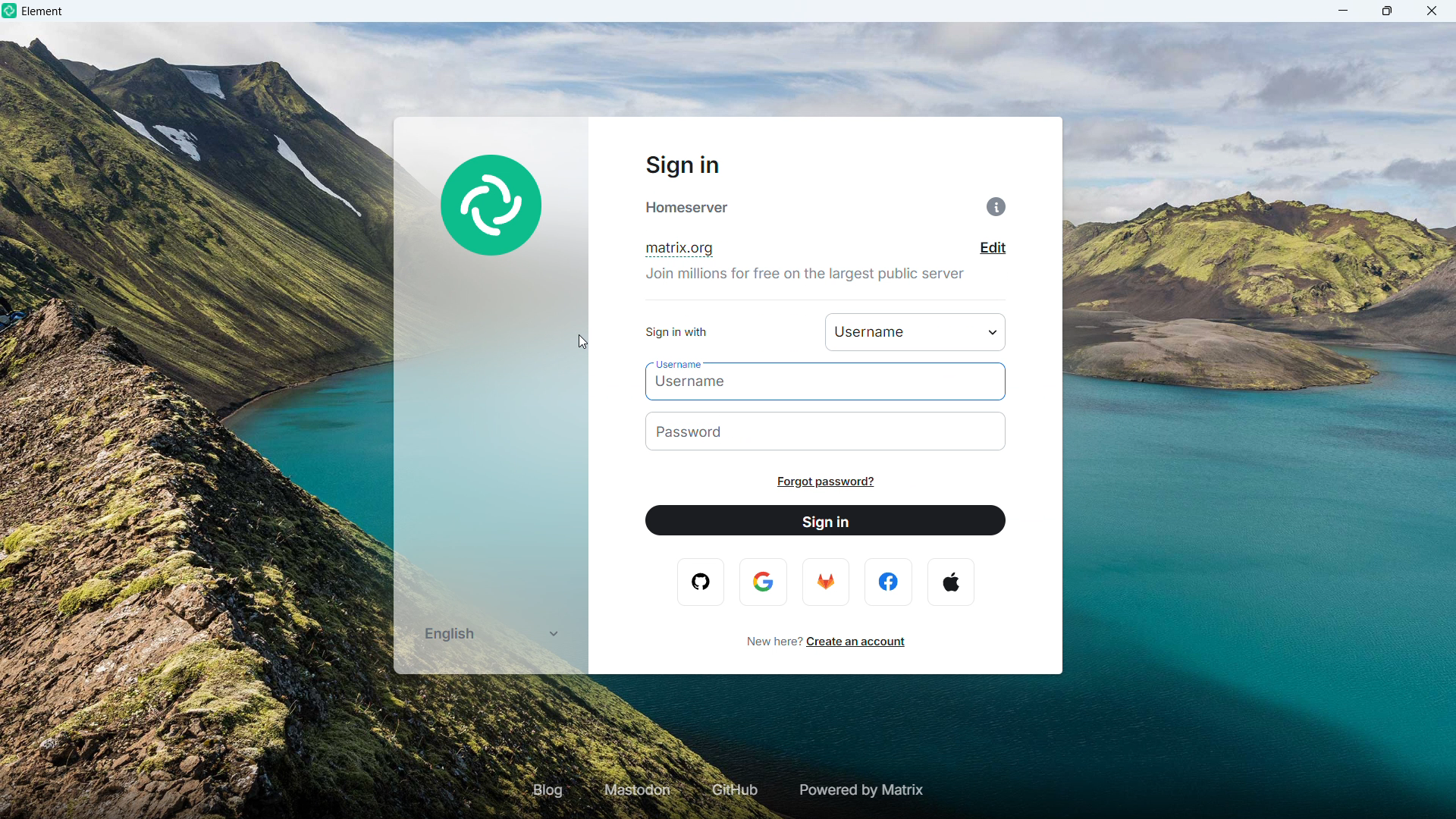 This screenshot has height=819, width=1456. I want to click on close , so click(1431, 11).